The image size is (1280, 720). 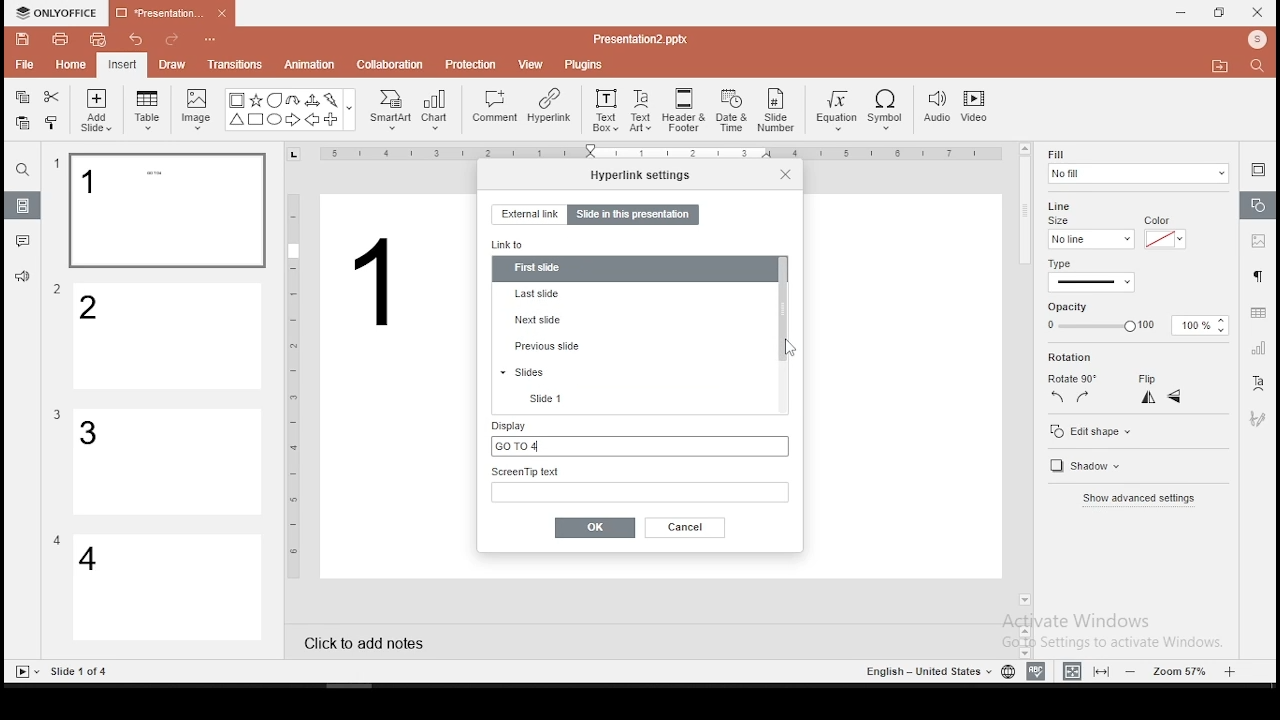 I want to click on date and time, so click(x=732, y=110).